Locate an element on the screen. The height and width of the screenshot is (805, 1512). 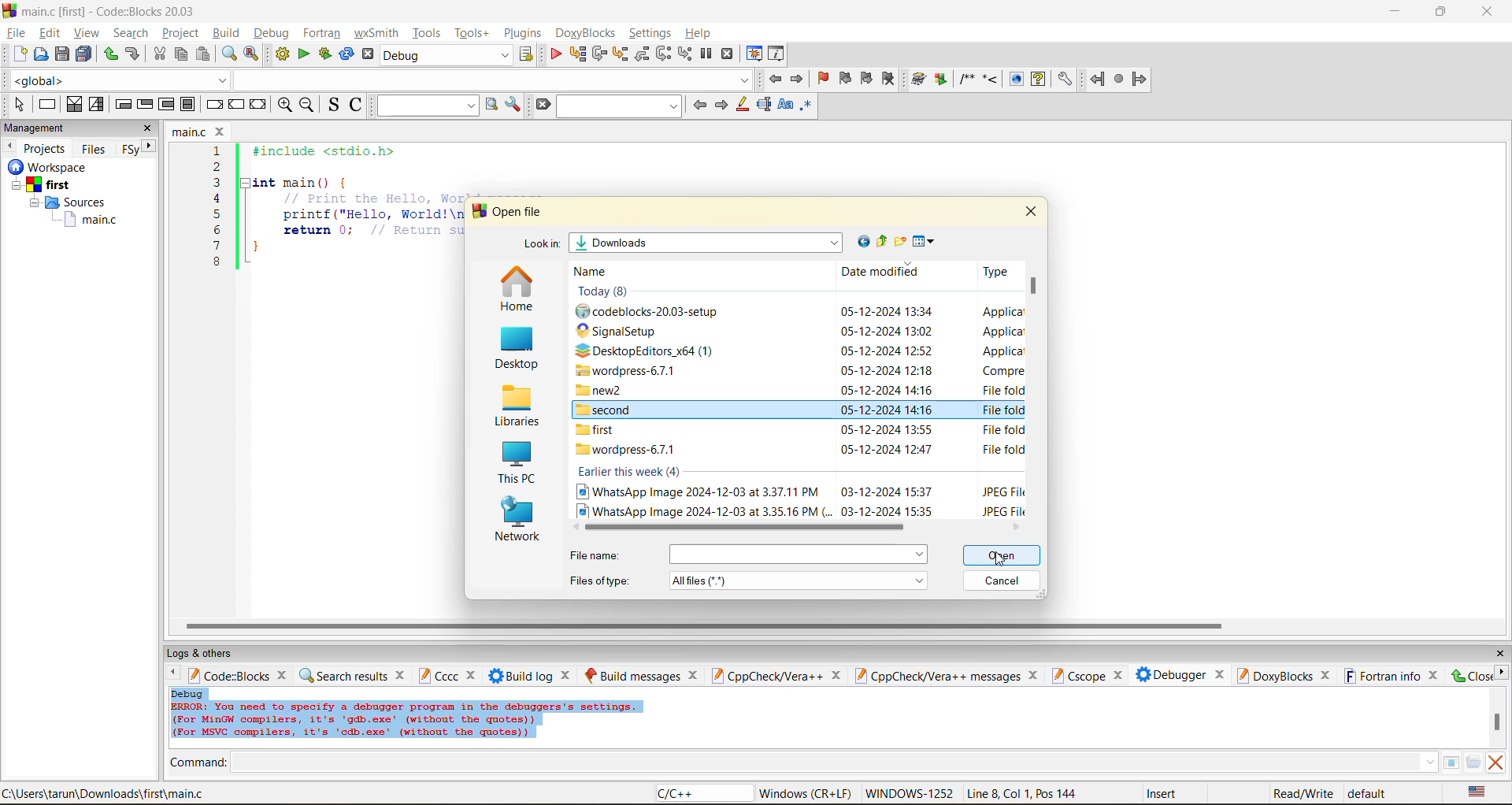
close is located at coordinates (473, 676).